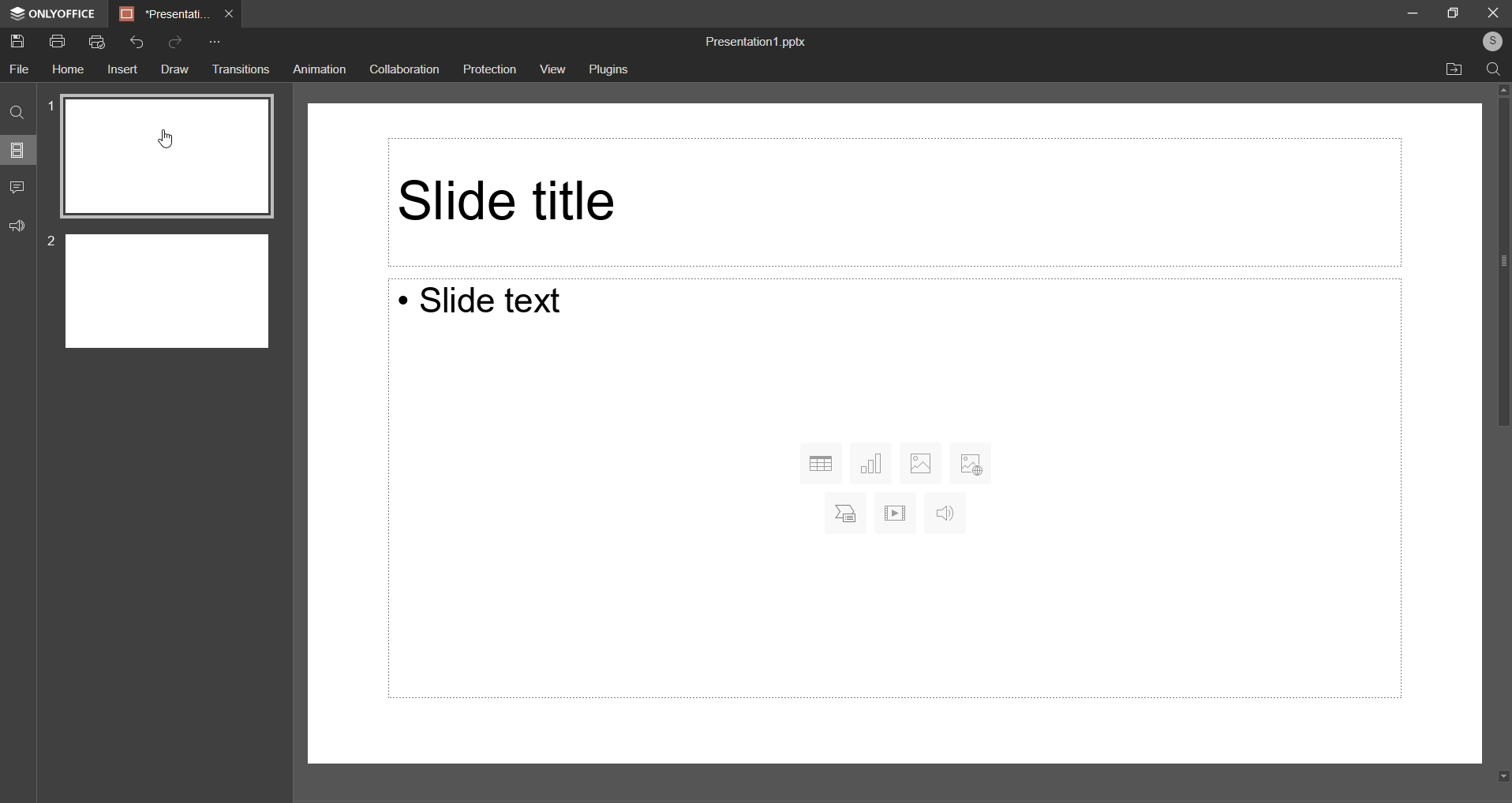 The width and height of the screenshot is (1512, 803). What do you see at coordinates (1495, 599) in the screenshot?
I see `Scroll bar` at bounding box center [1495, 599].